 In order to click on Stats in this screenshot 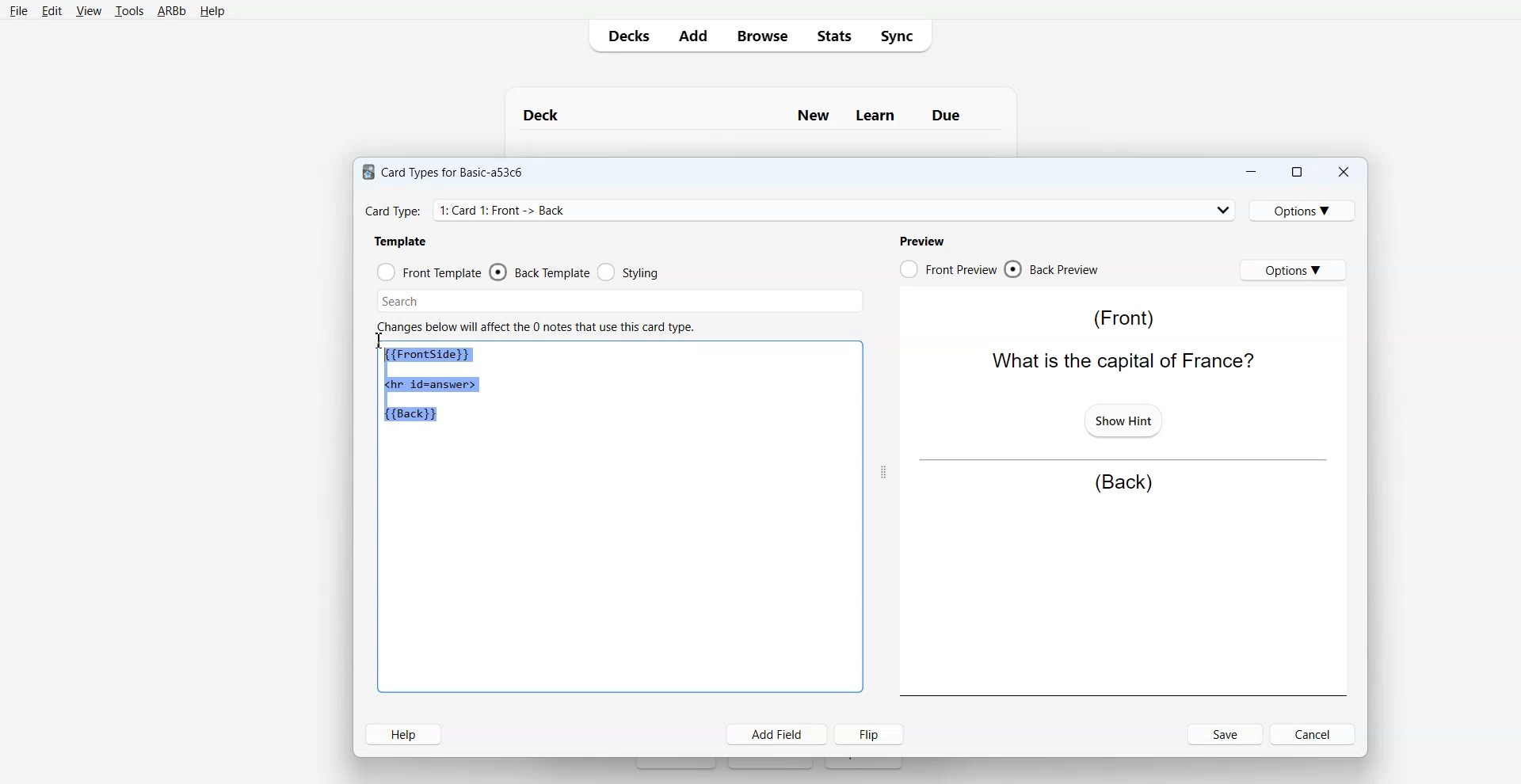, I will do `click(833, 35)`.